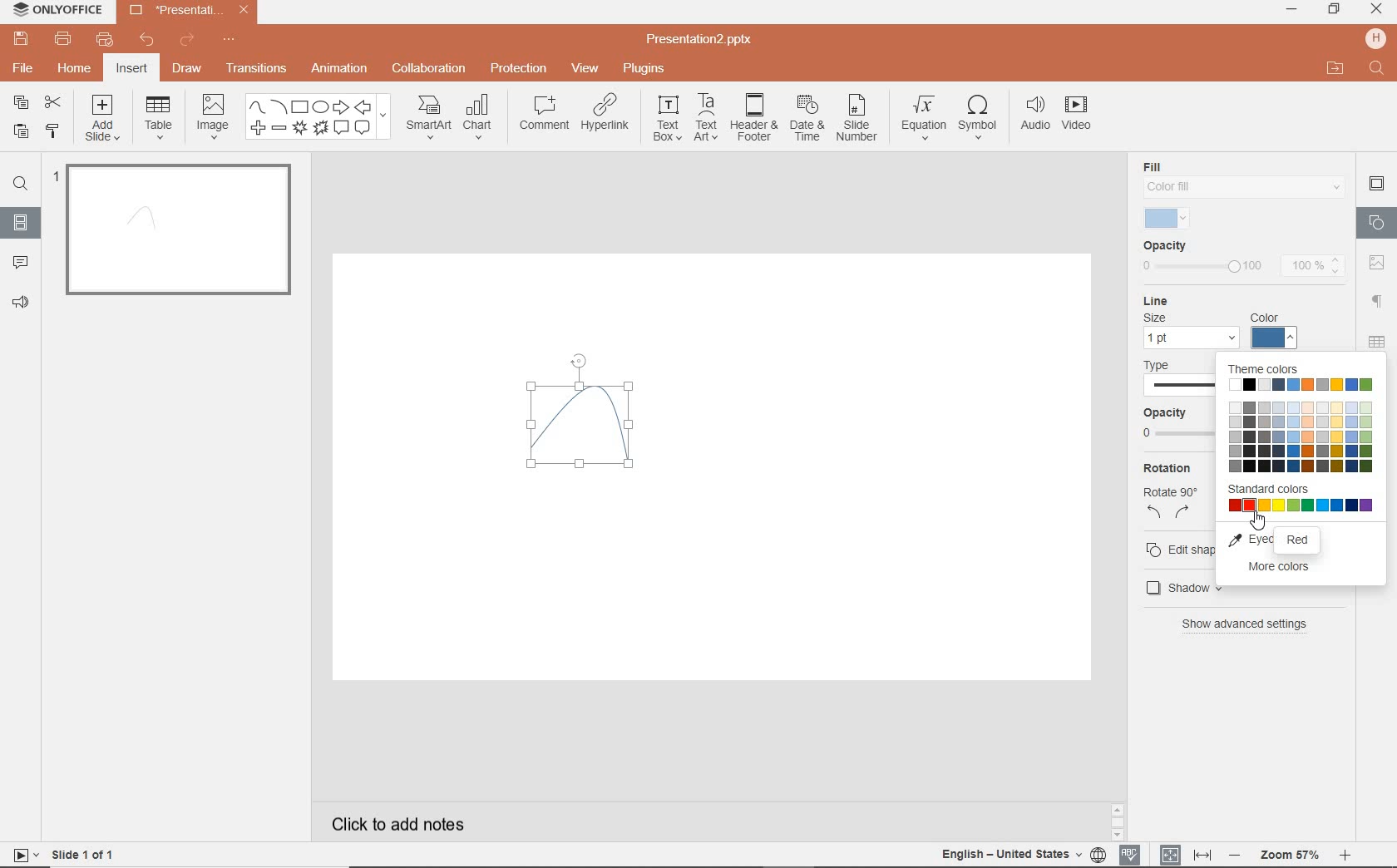 The height and width of the screenshot is (868, 1397). I want to click on ZOOM, so click(1298, 855).